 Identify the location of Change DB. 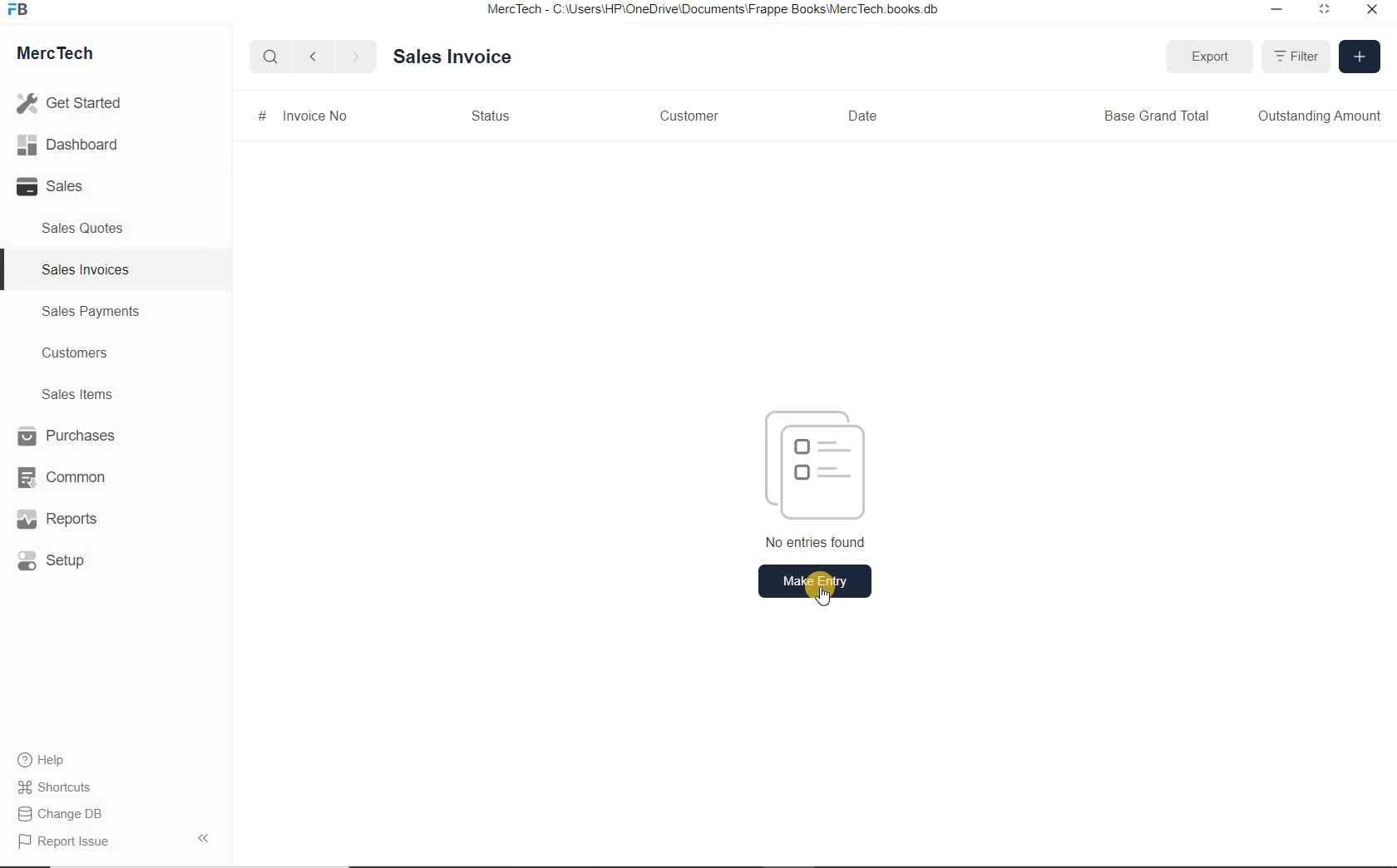
(62, 814).